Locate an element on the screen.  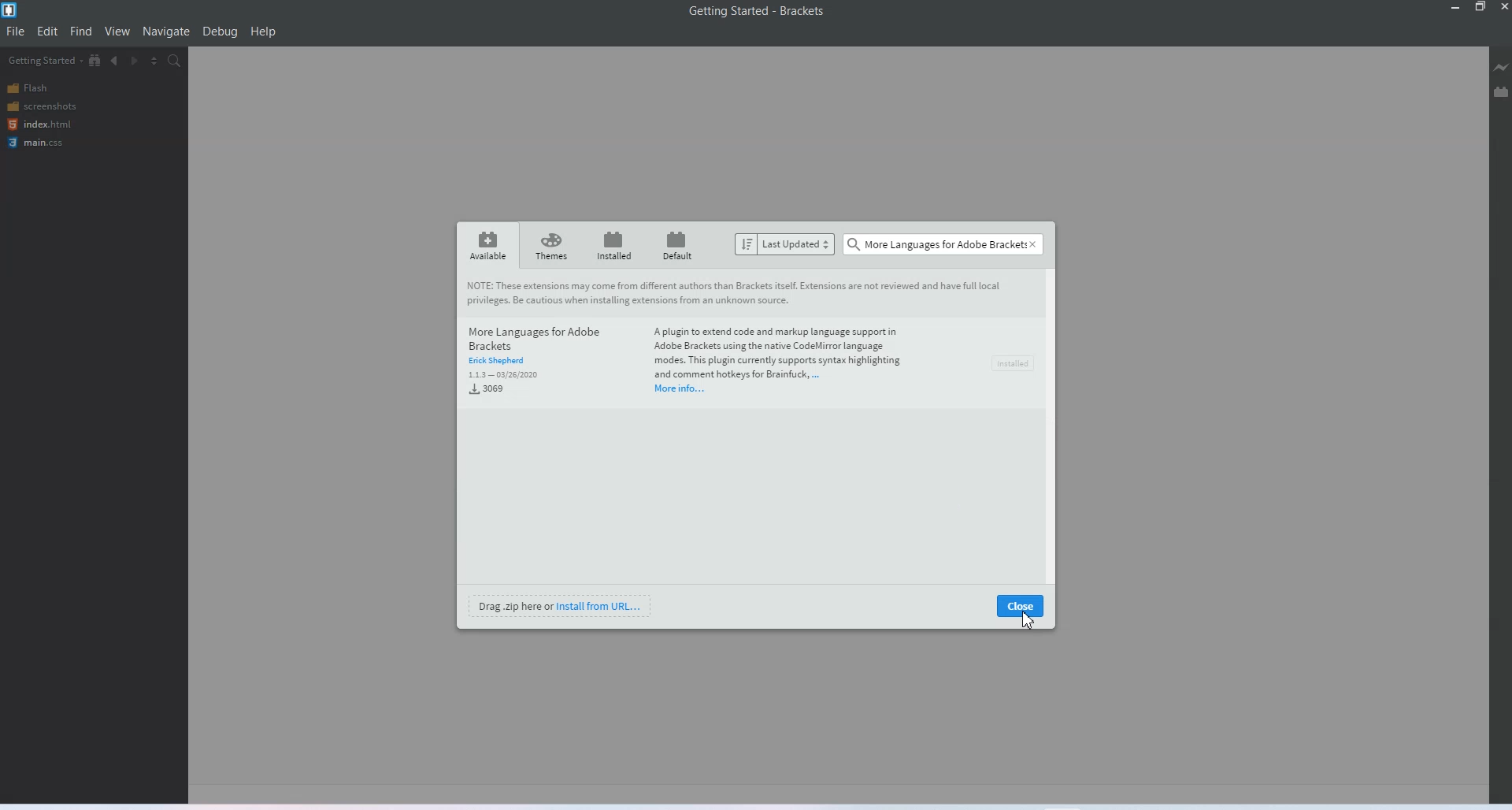
Index html is located at coordinates (54, 125).